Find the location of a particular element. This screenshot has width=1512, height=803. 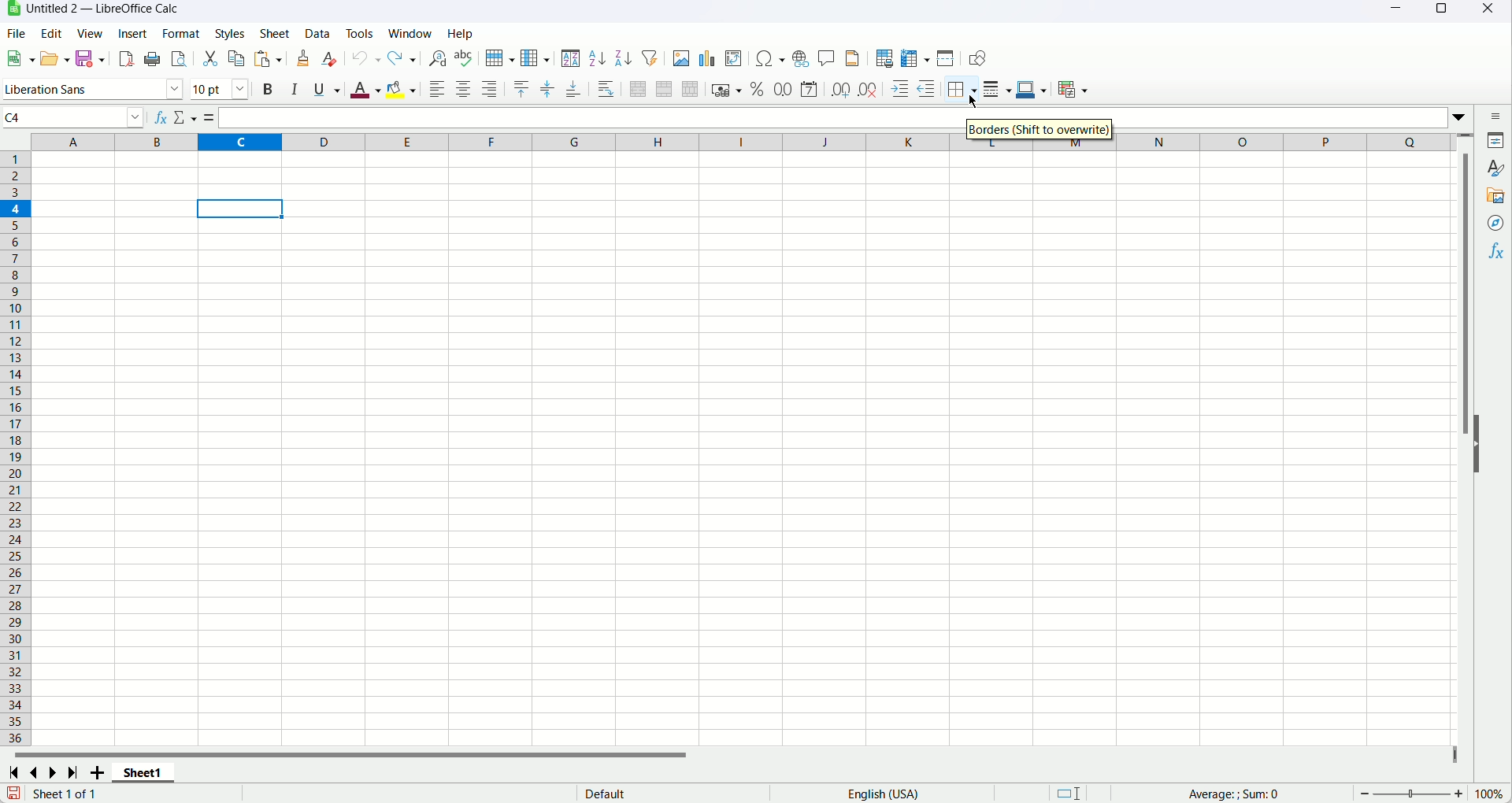

Header and footer is located at coordinates (852, 58).